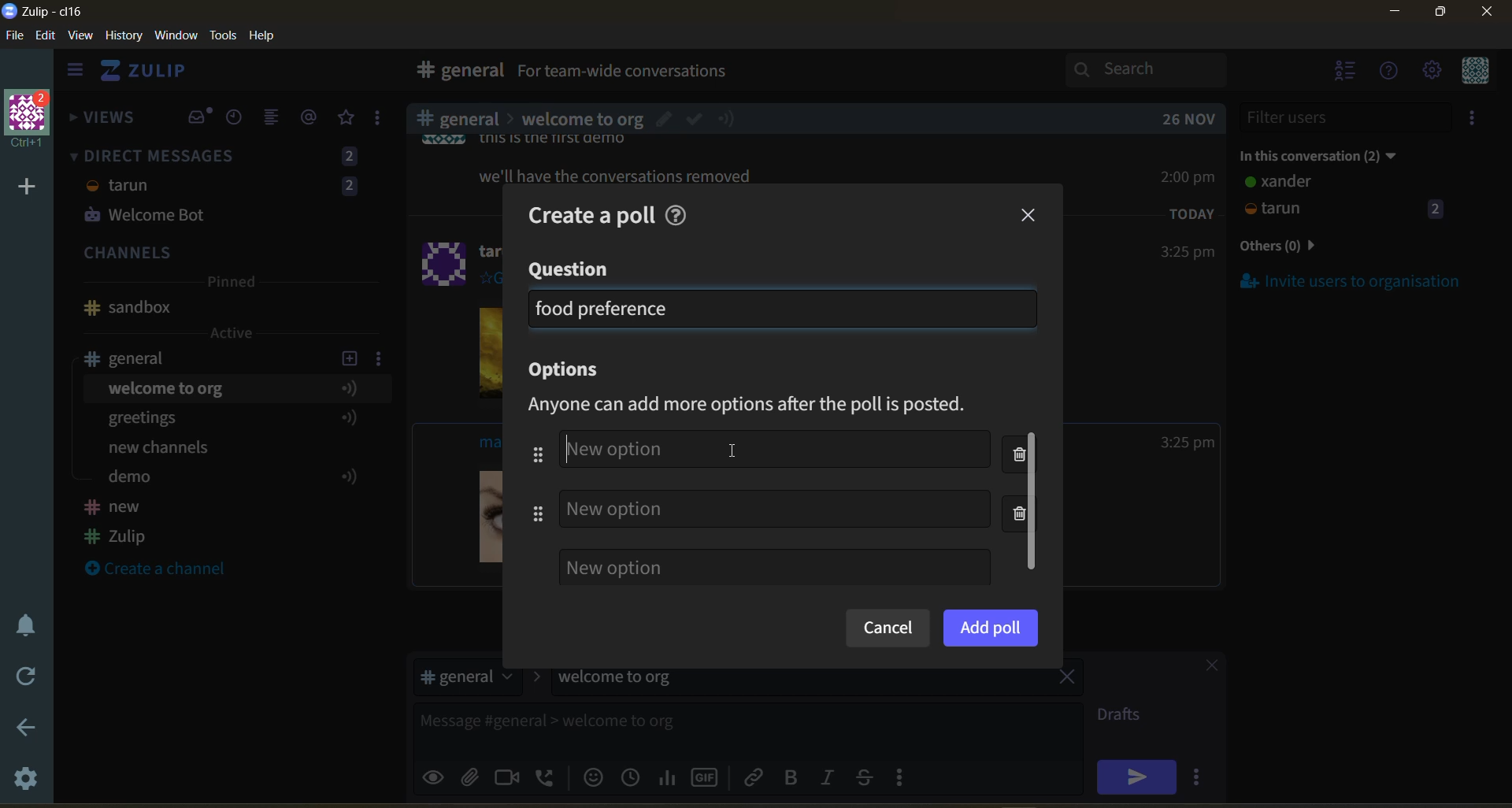  Describe the element at coordinates (1347, 117) in the screenshot. I see `filter users` at that location.